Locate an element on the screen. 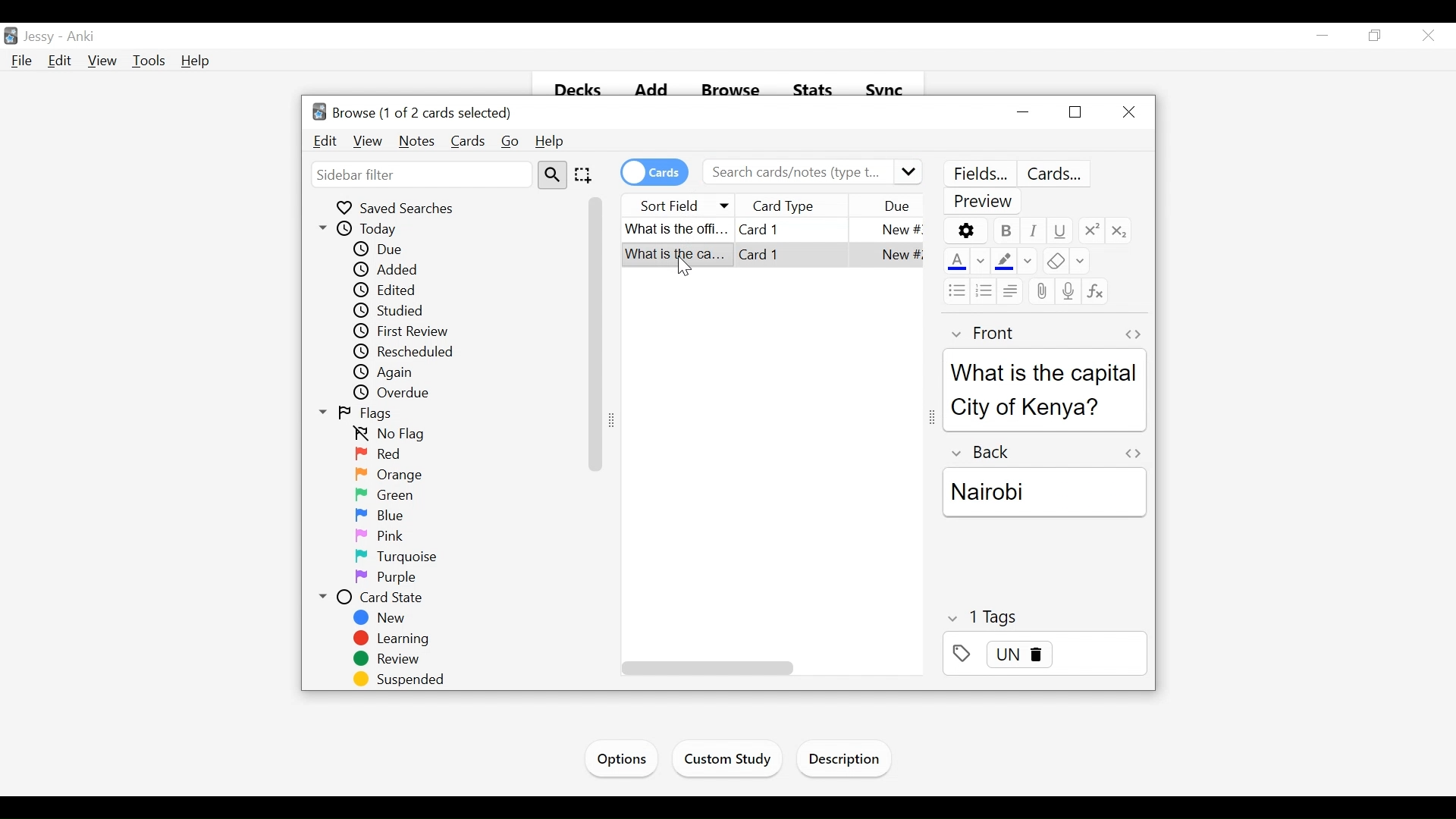  Anki is located at coordinates (85, 37).